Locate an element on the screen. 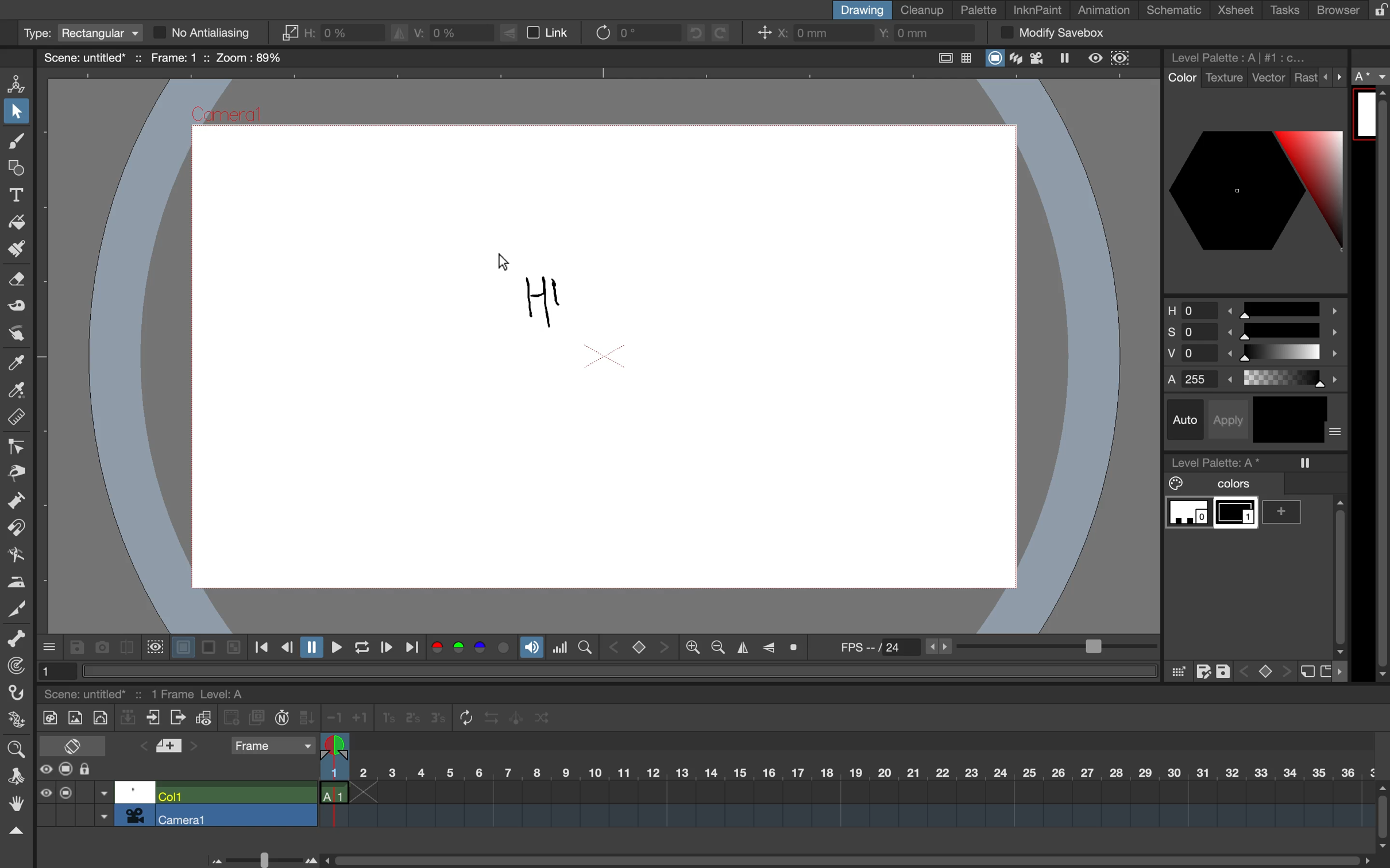 The height and width of the screenshot is (868, 1390). rast is located at coordinates (1305, 79).